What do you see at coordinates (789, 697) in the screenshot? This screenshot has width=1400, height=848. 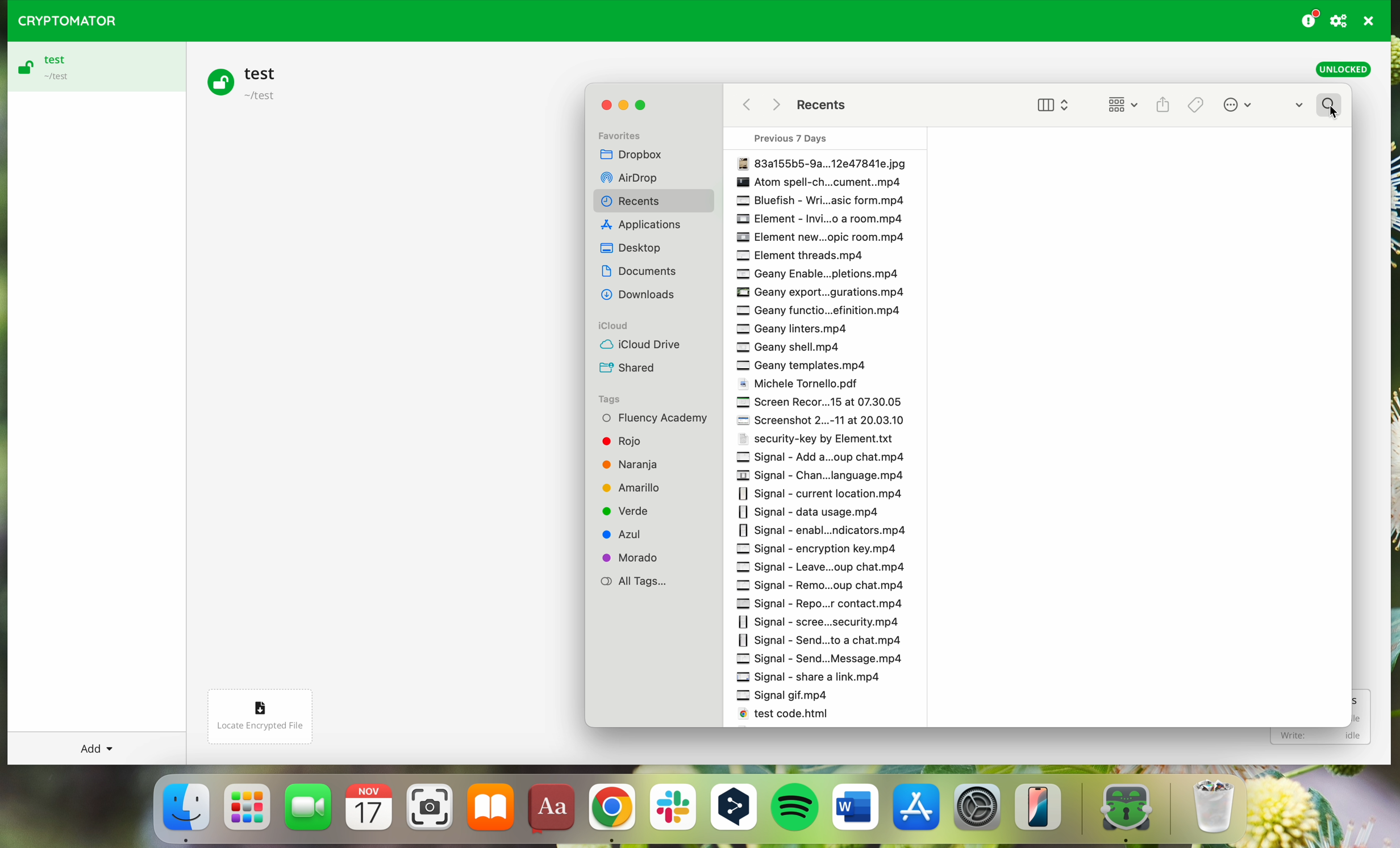 I see `Signal gif` at bounding box center [789, 697].